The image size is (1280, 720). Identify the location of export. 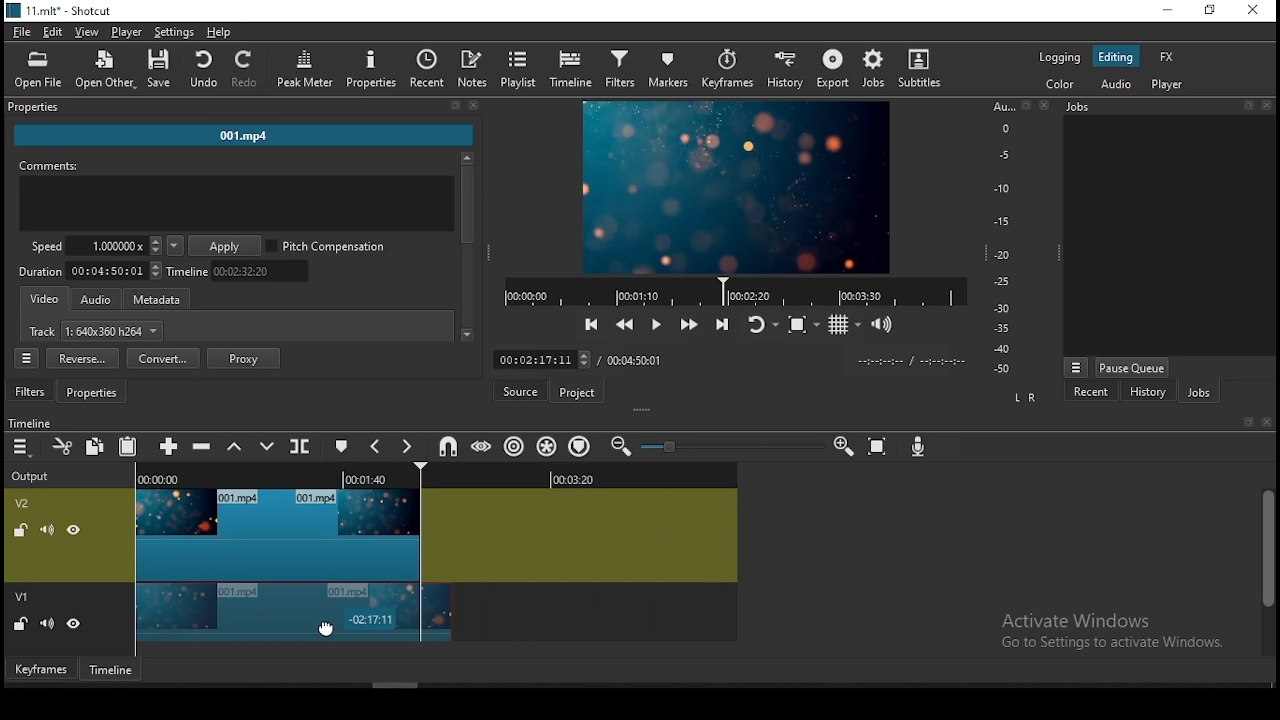
(833, 69).